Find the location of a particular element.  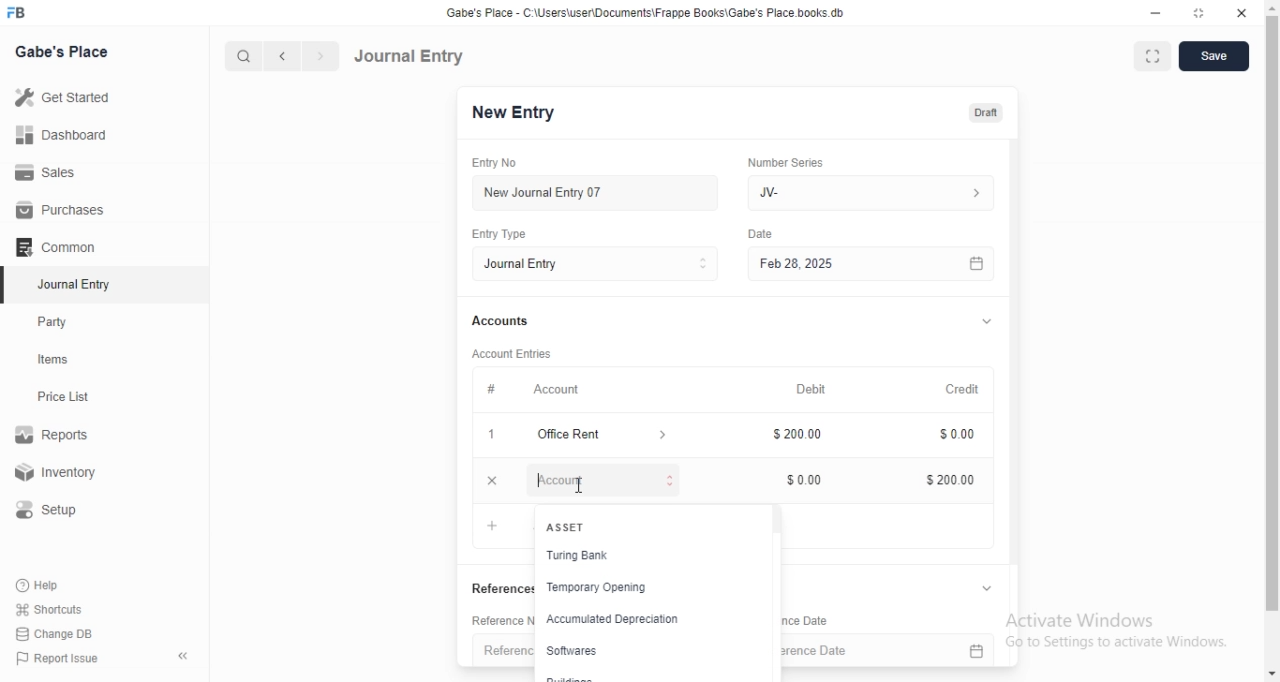

Reference number is located at coordinates (506, 651).